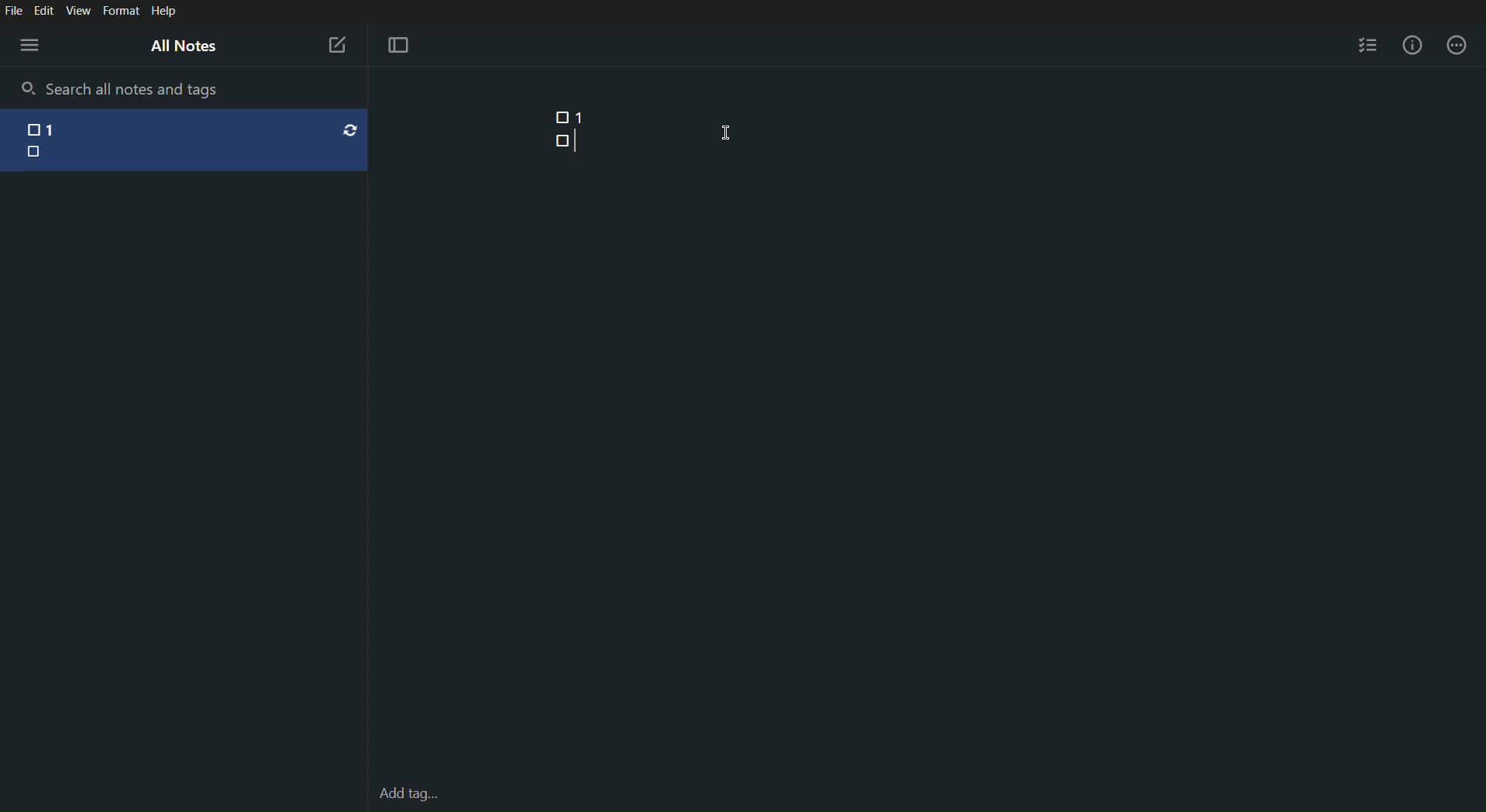  Describe the element at coordinates (581, 117) in the screenshot. I see `1` at that location.